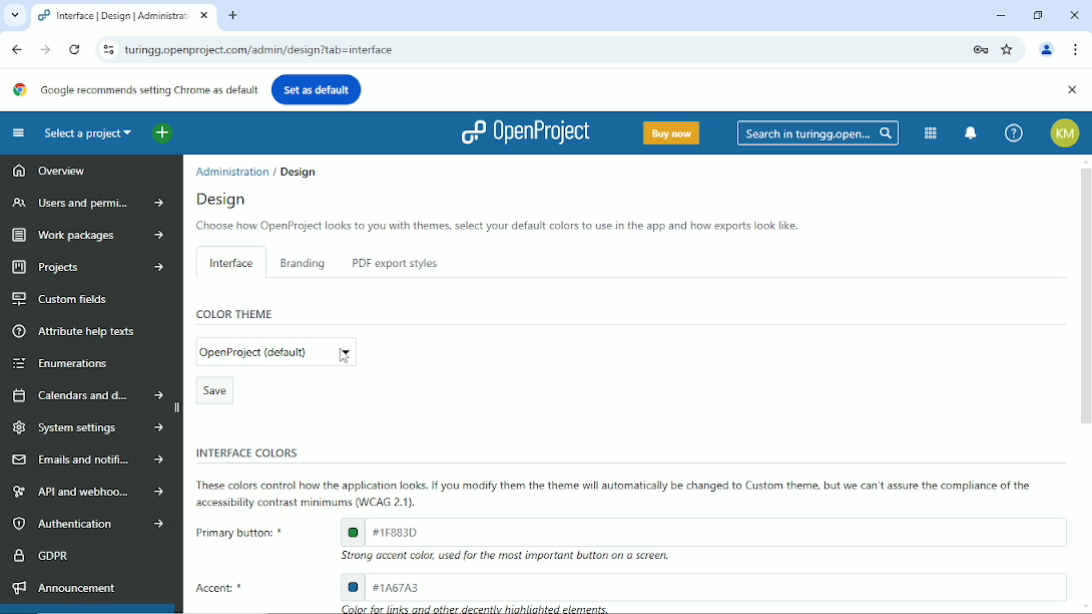 The width and height of the screenshot is (1092, 614). I want to click on Administration, so click(233, 170).